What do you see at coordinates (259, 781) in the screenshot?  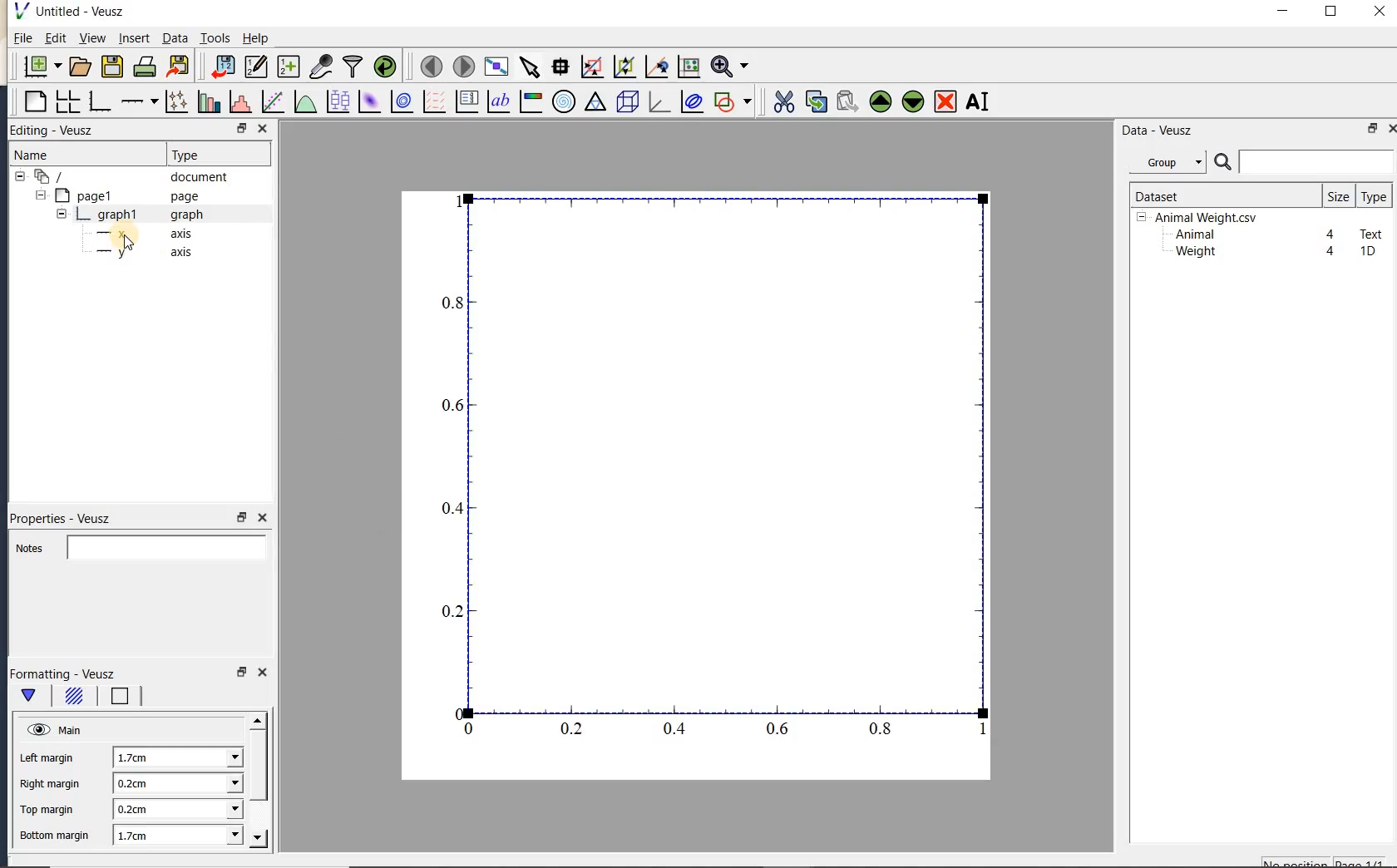 I see `scrollbar` at bounding box center [259, 781].